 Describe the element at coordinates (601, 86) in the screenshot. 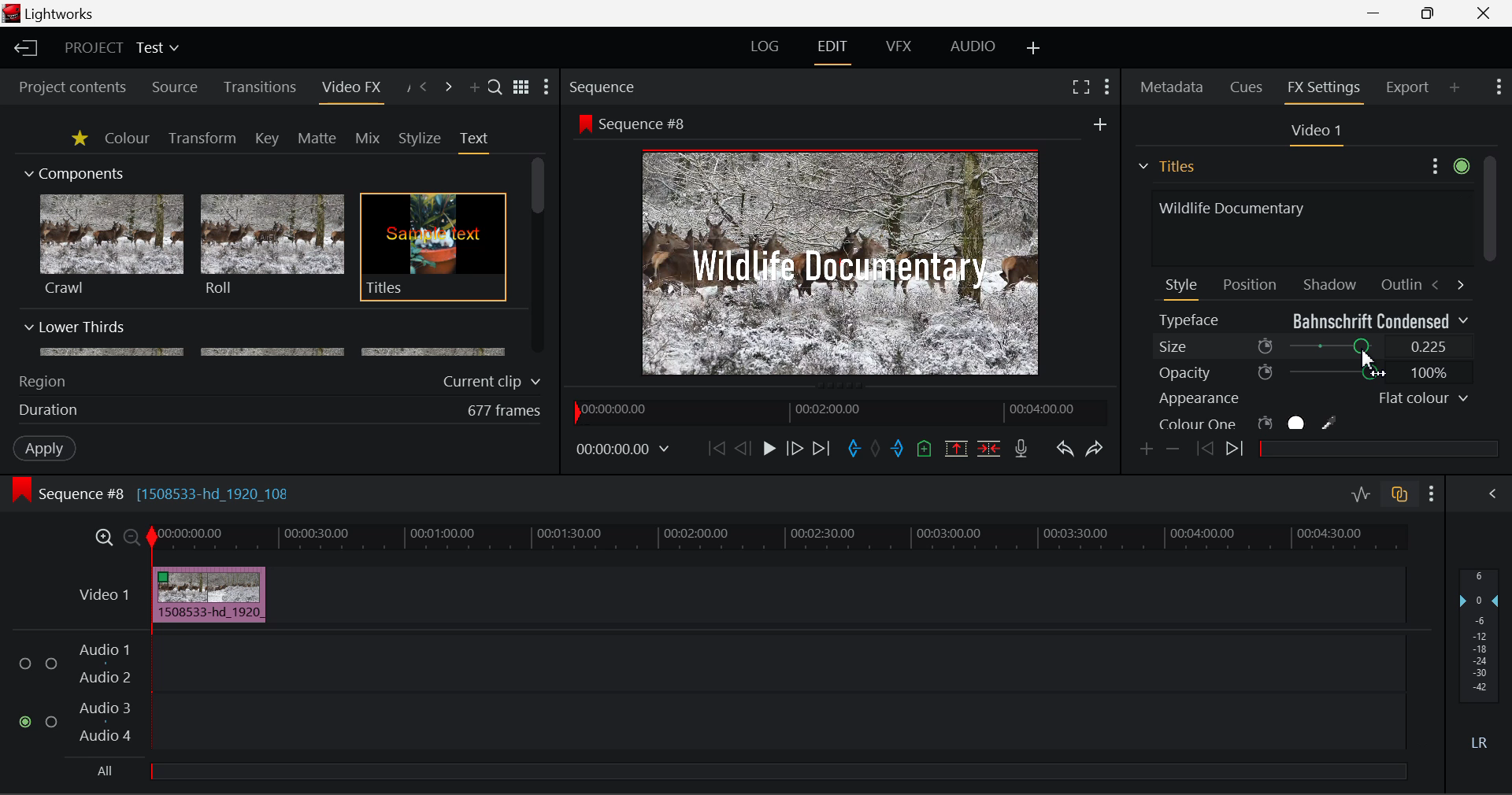

I see `Sequence` at that location.